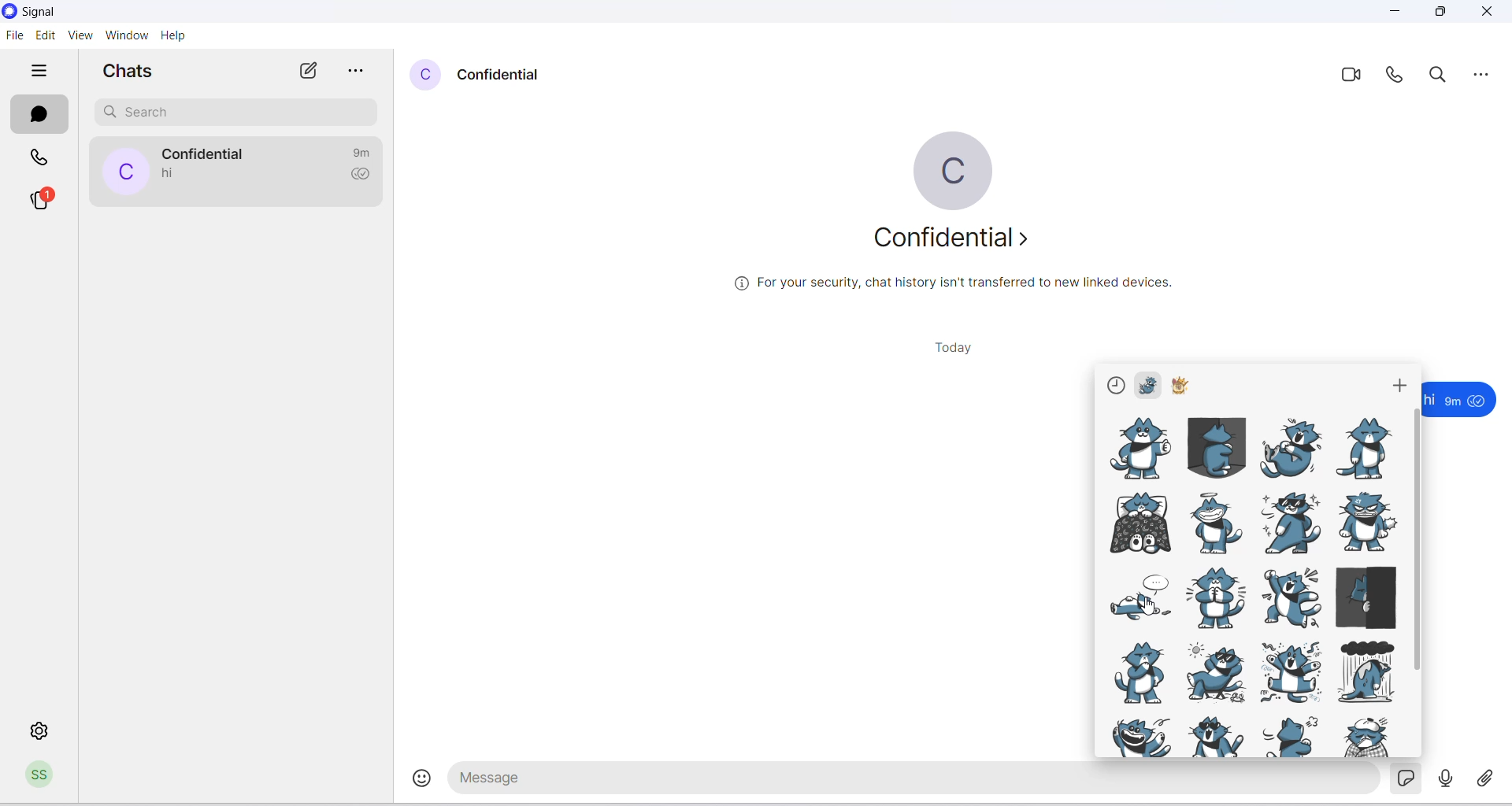 The height and width of the screenshot is (806, 1512). I want to click on contact name, so click(209, 153).